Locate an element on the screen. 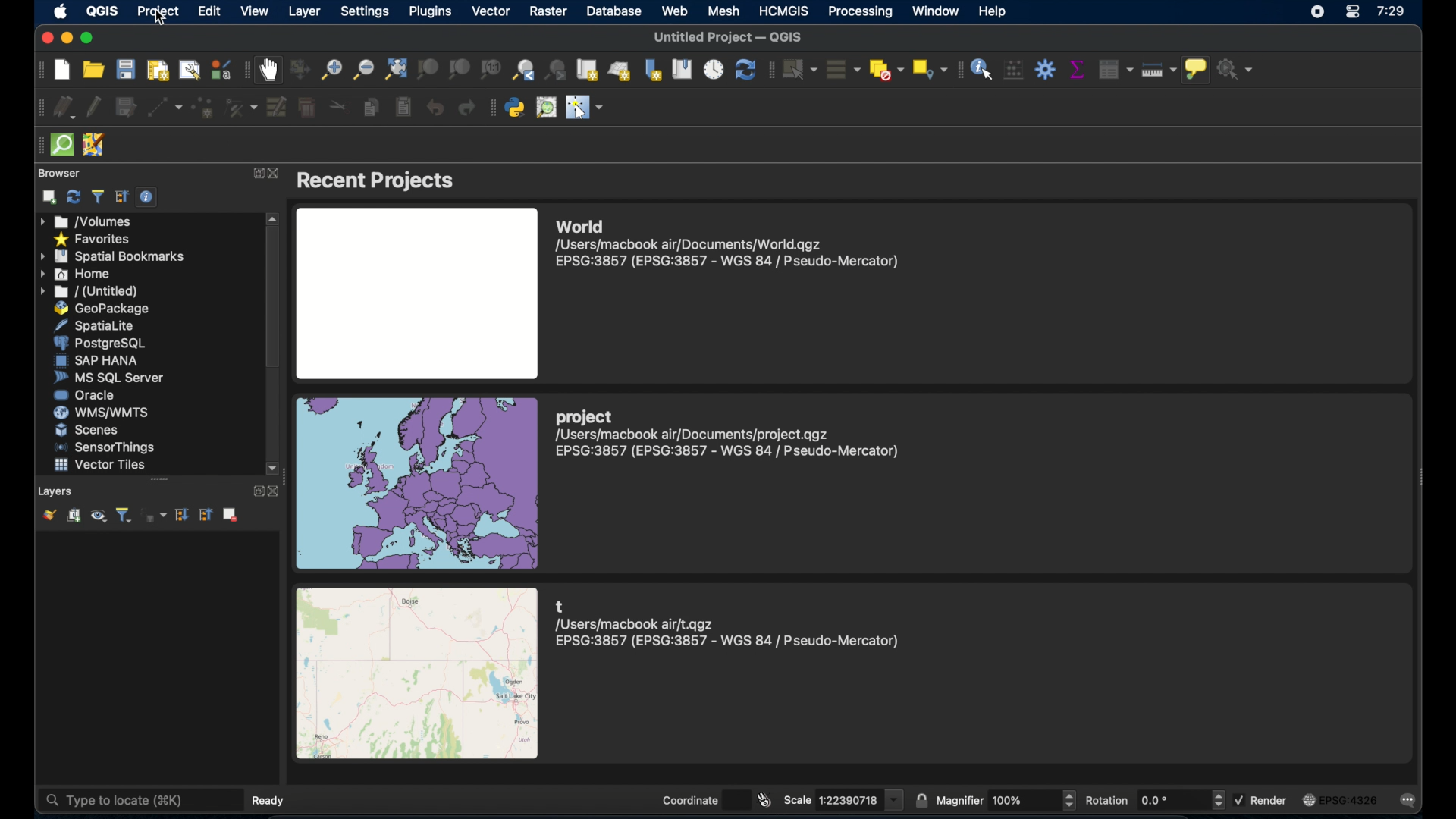 The image size is (1456, 819). plugins is located at coordinates (435, 11).